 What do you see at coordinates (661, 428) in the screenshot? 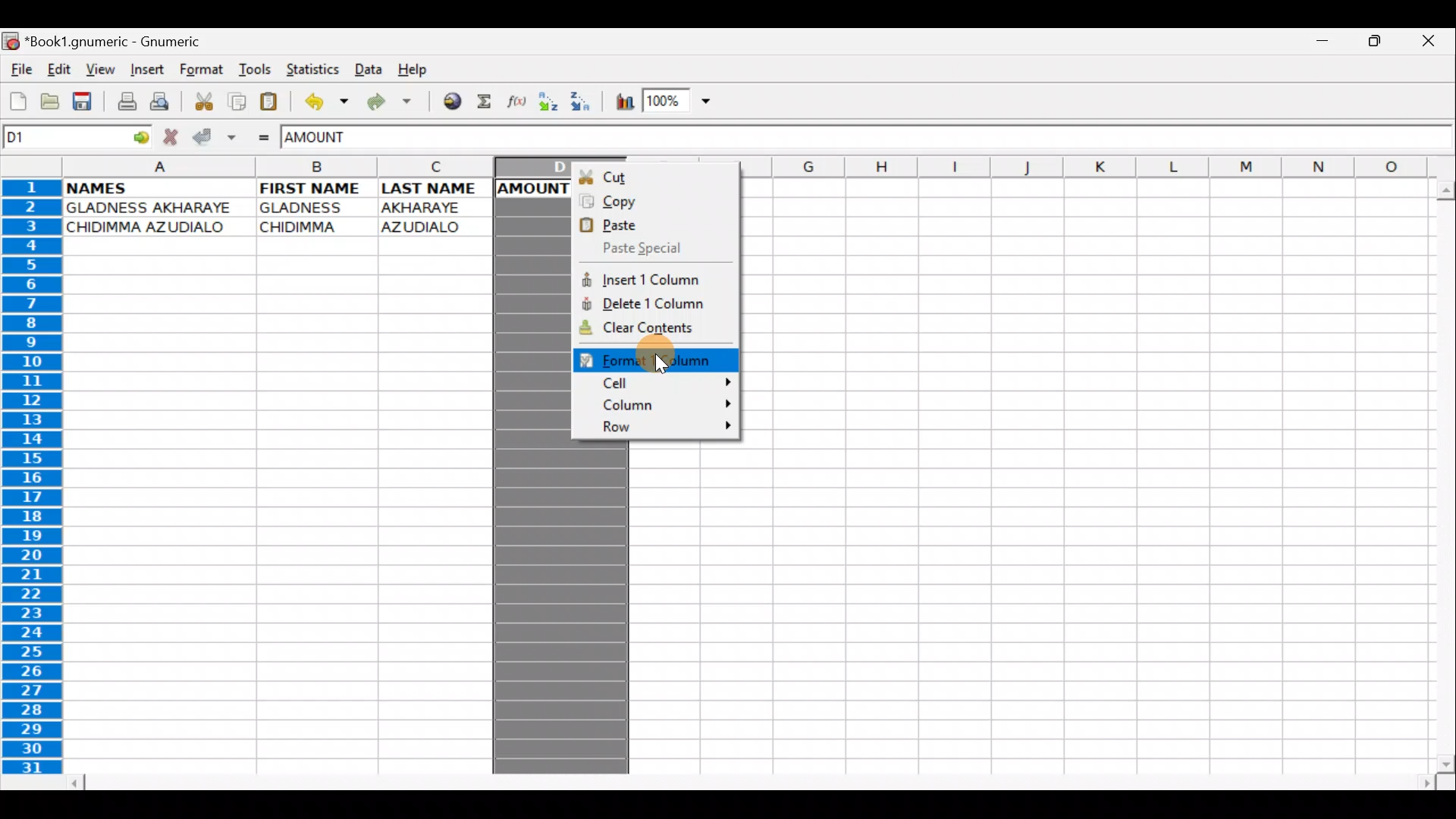
I see `Row` at bounding box center [661, 428].